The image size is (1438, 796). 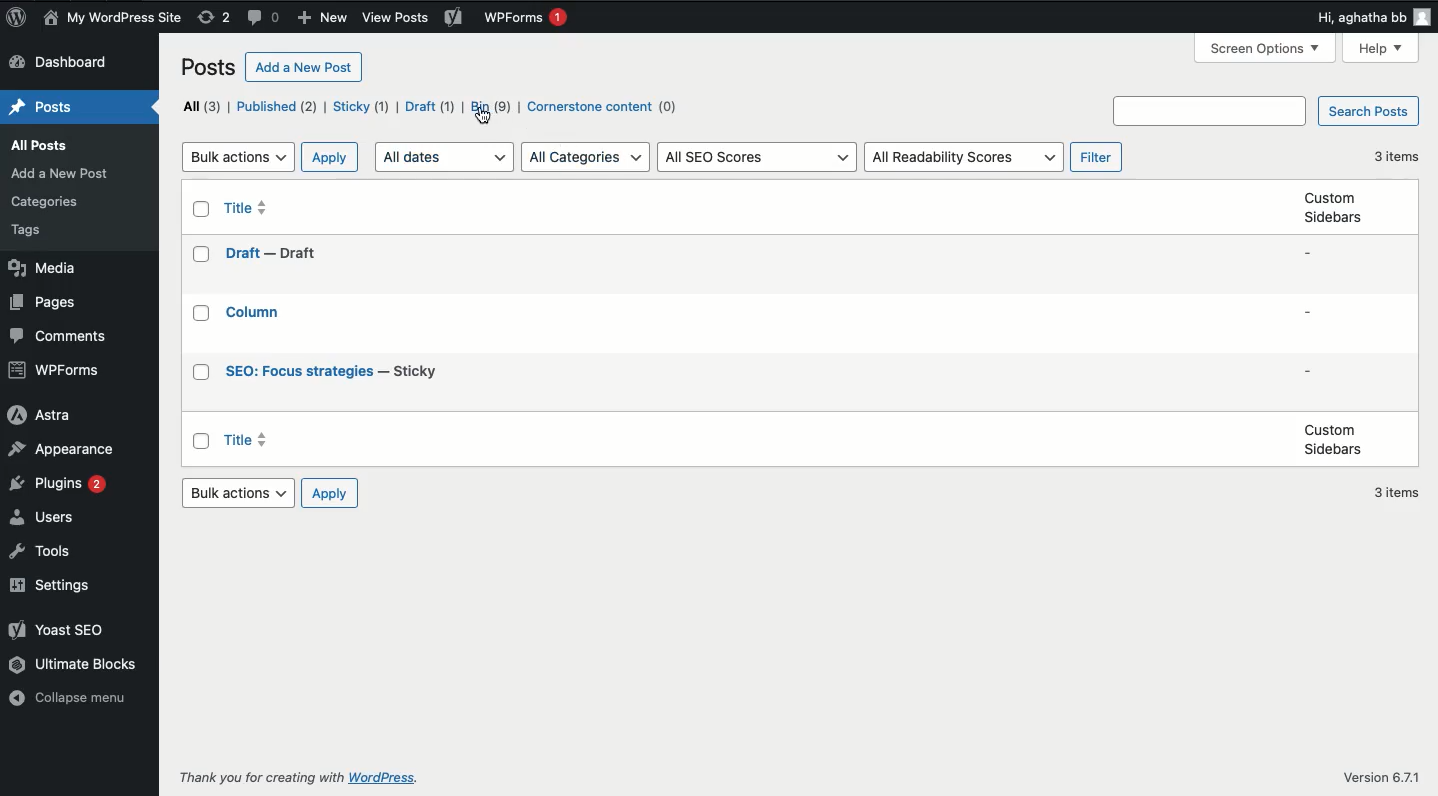 I want to click on add Post, so click(x=60, y=172).